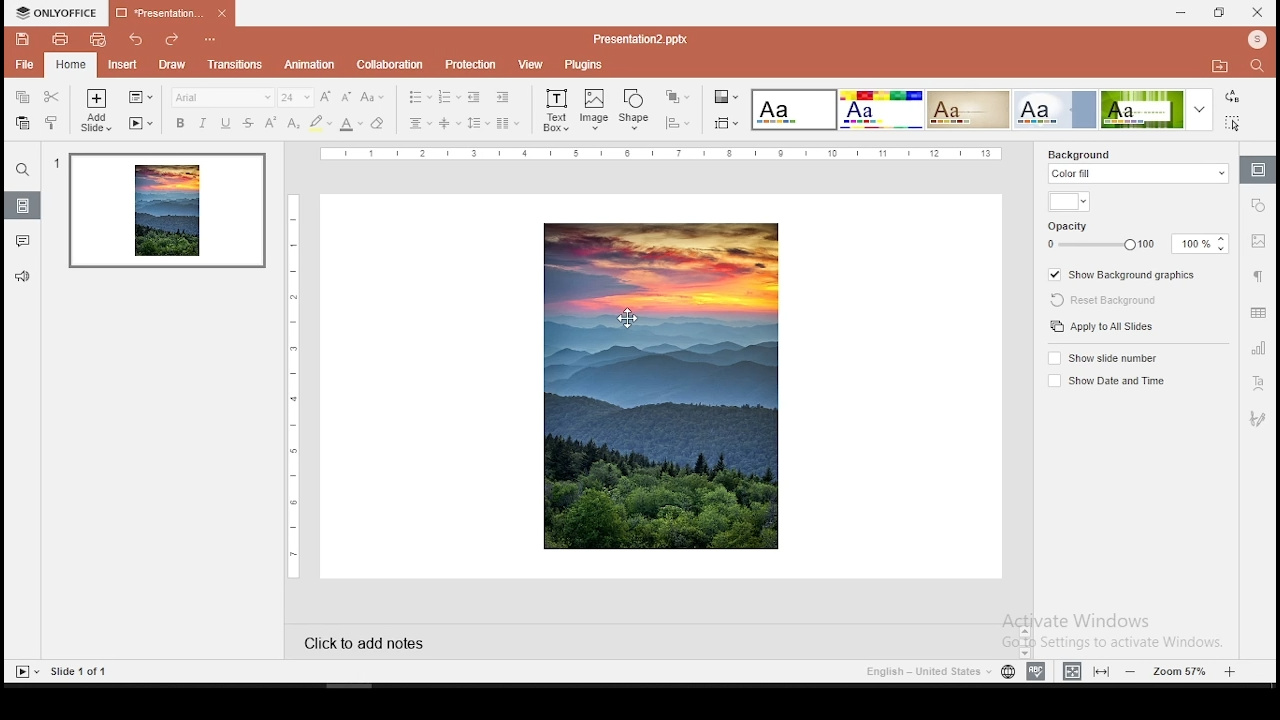  What do you see at coordinates (532, 66) in the screenshot?
I see `view` at bounding box center [532, 66].